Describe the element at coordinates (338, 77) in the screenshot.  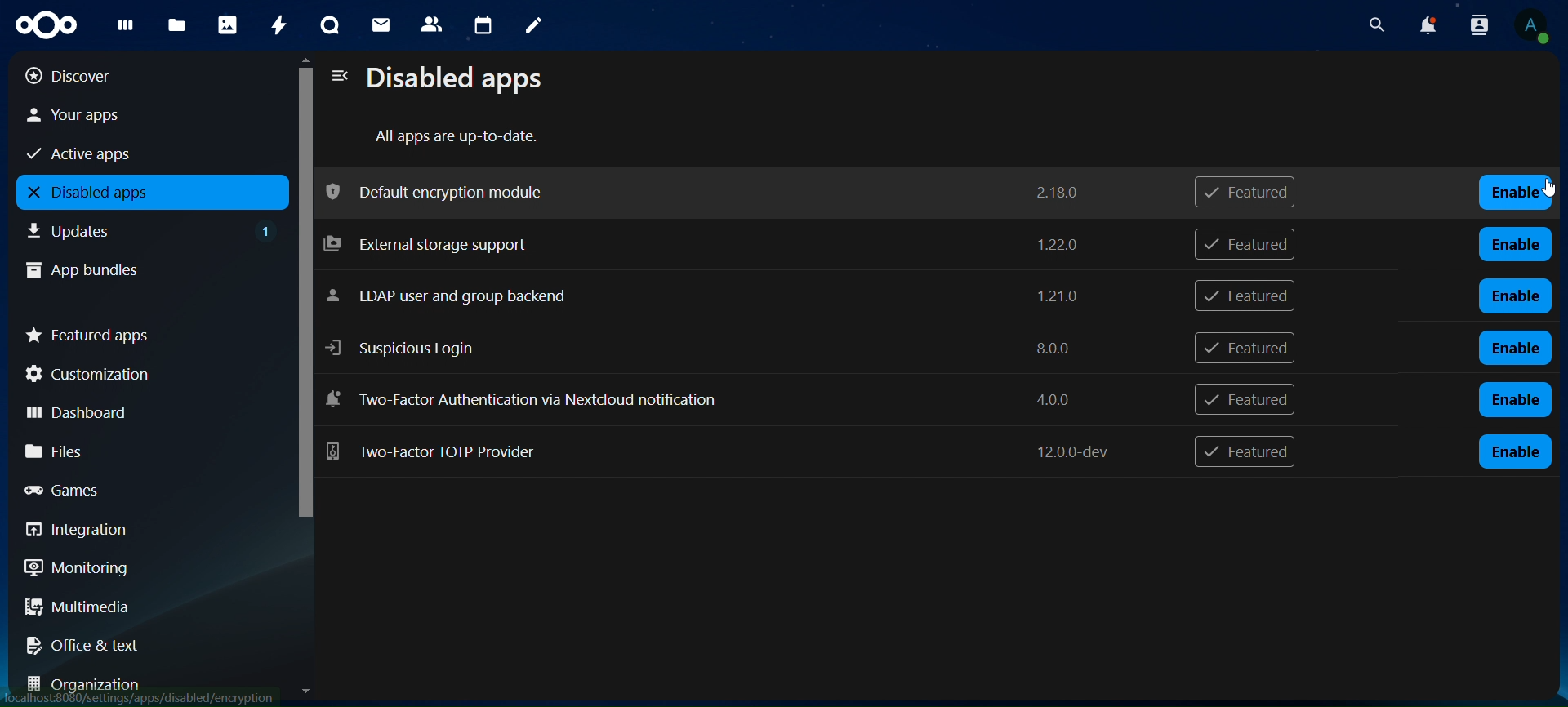
I see `close navigation` at that location.